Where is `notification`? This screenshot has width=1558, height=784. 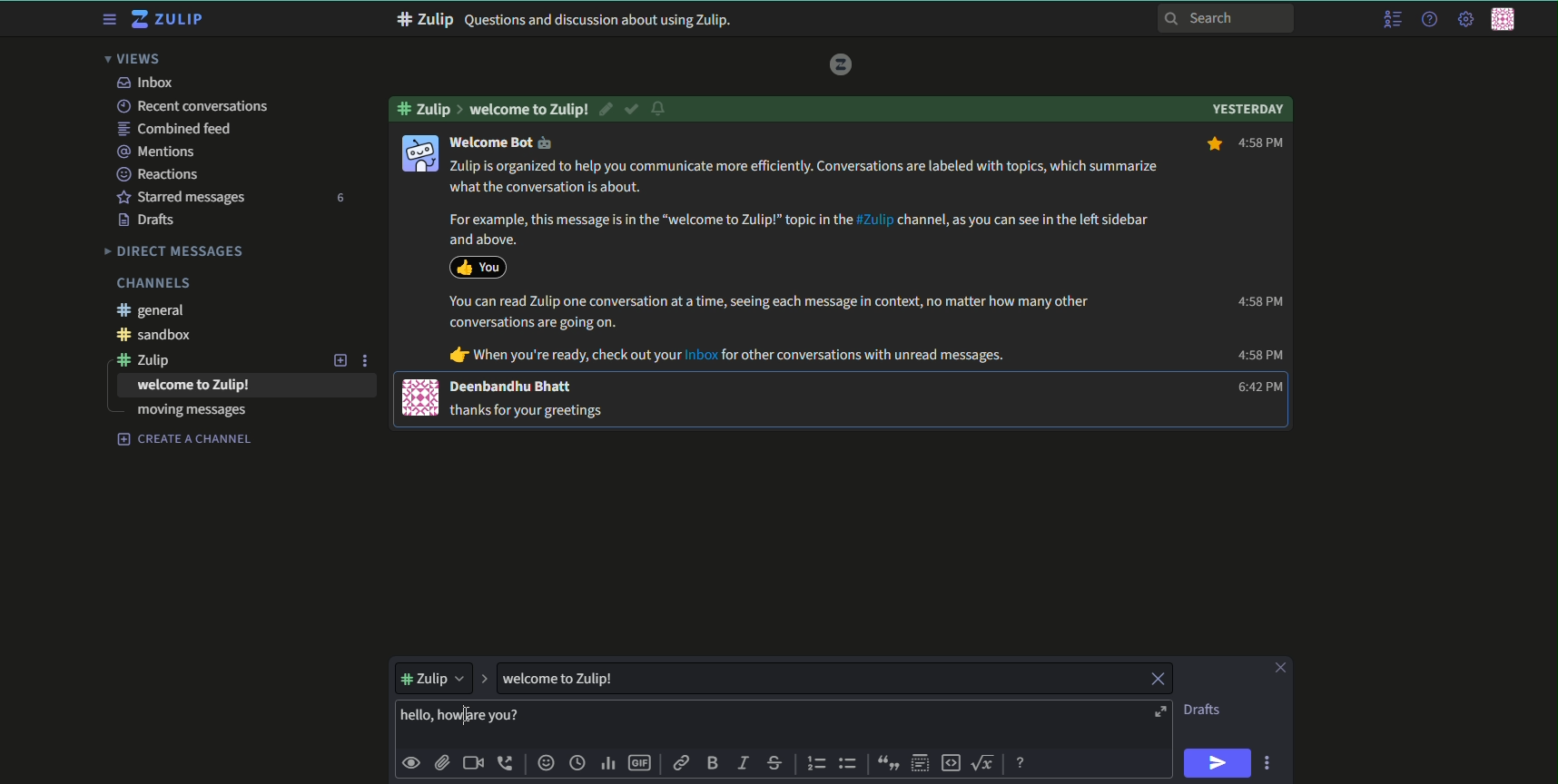
notification is located at coordinates (661, 110).